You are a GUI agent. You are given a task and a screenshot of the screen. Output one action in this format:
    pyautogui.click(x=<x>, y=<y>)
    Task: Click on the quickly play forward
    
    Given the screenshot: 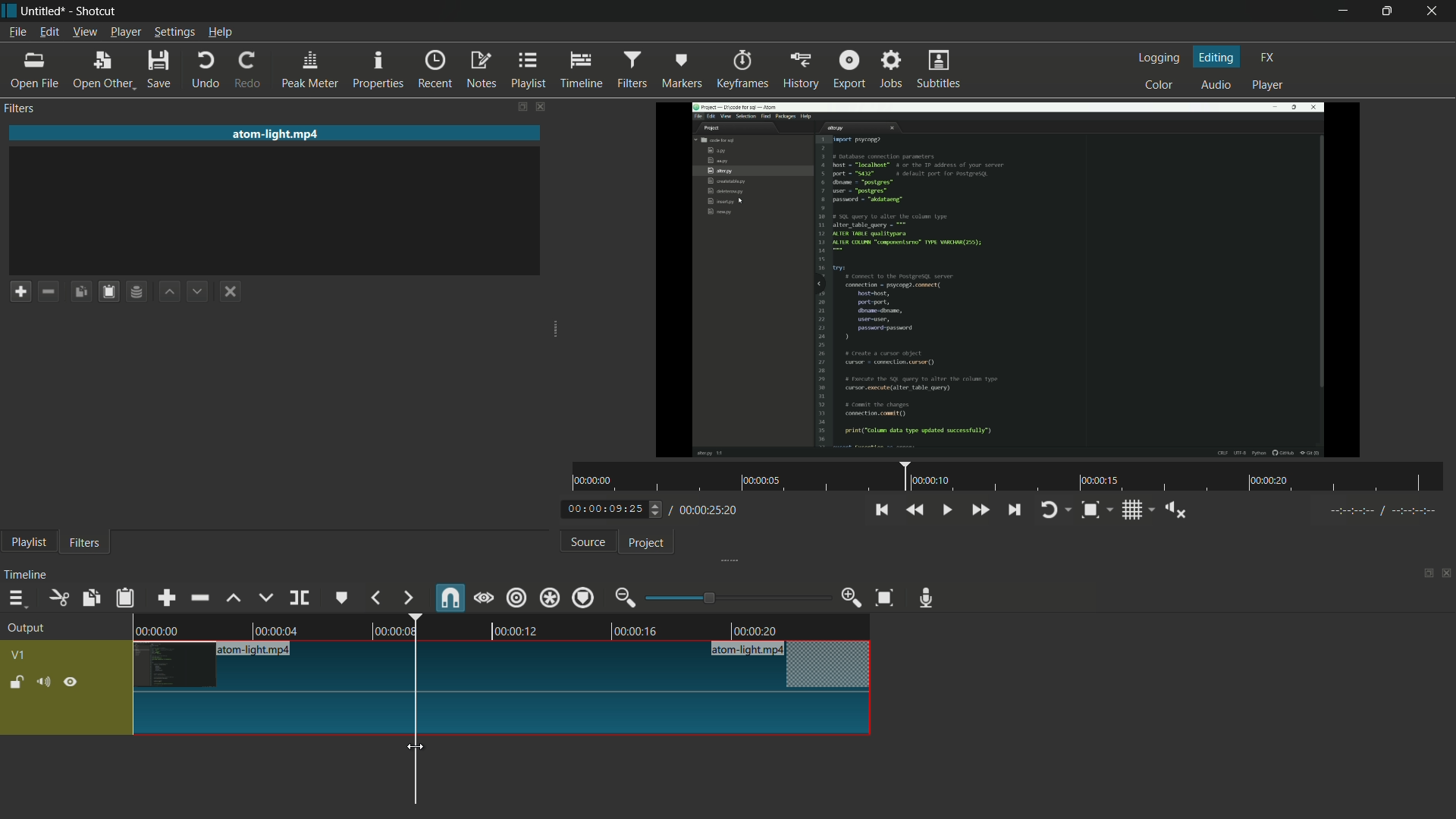 What is the action you would take?
    pyautogui.click(x=979, y=510)
    